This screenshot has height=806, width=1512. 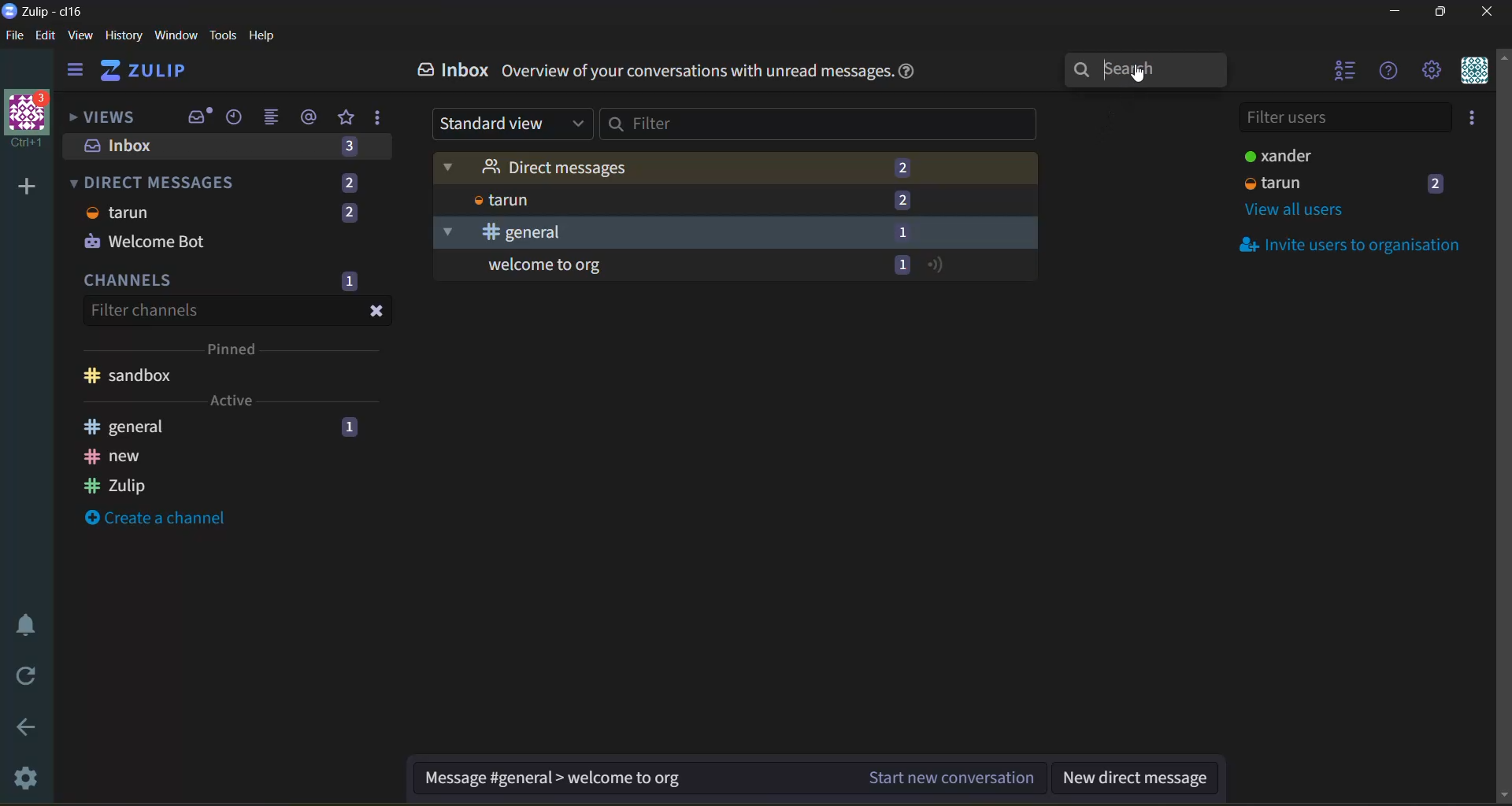 I want to click on view all users, so click(x=1298, y=211).